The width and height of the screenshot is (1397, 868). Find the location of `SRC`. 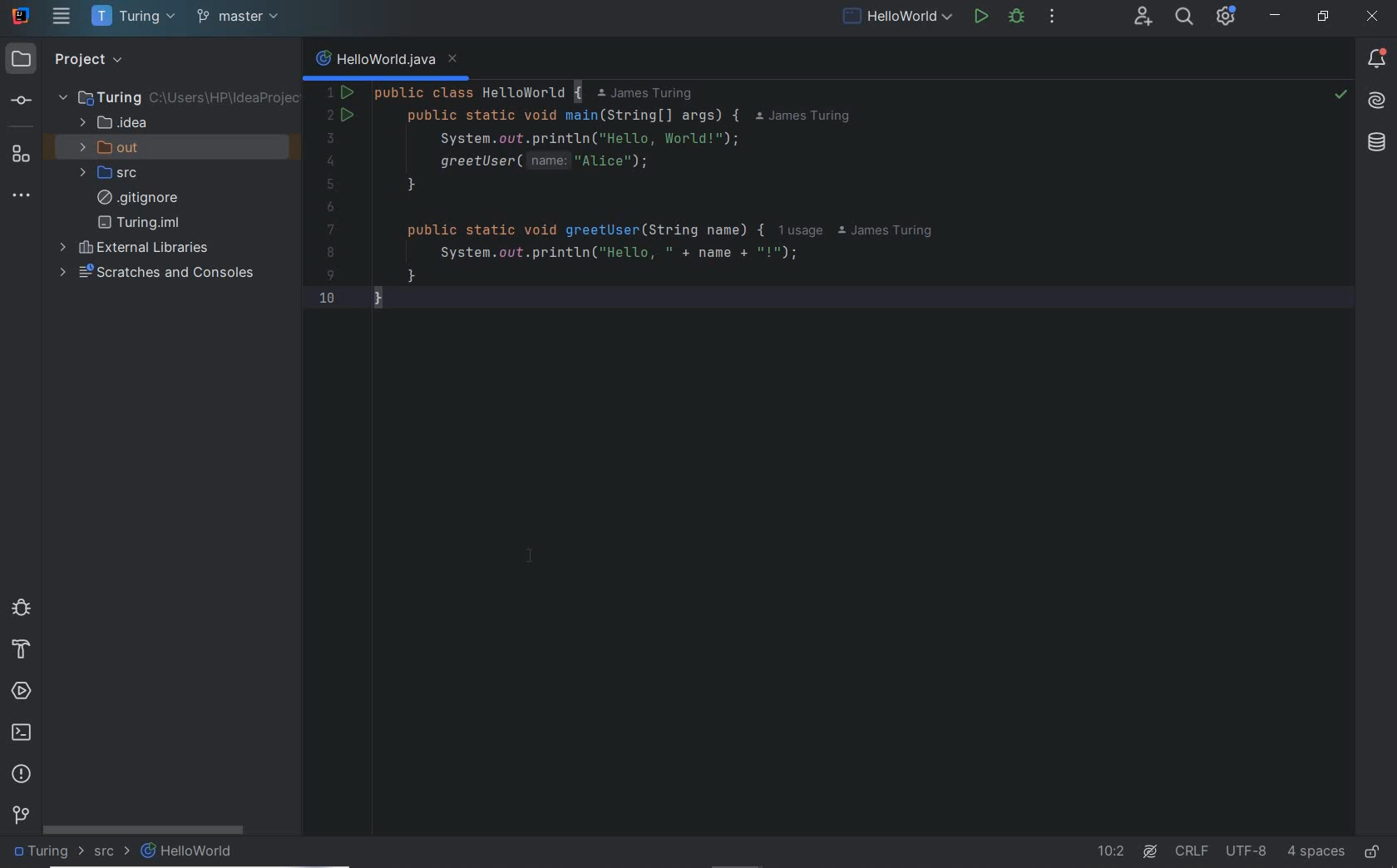

SRC is located at coordinates (112, 852).